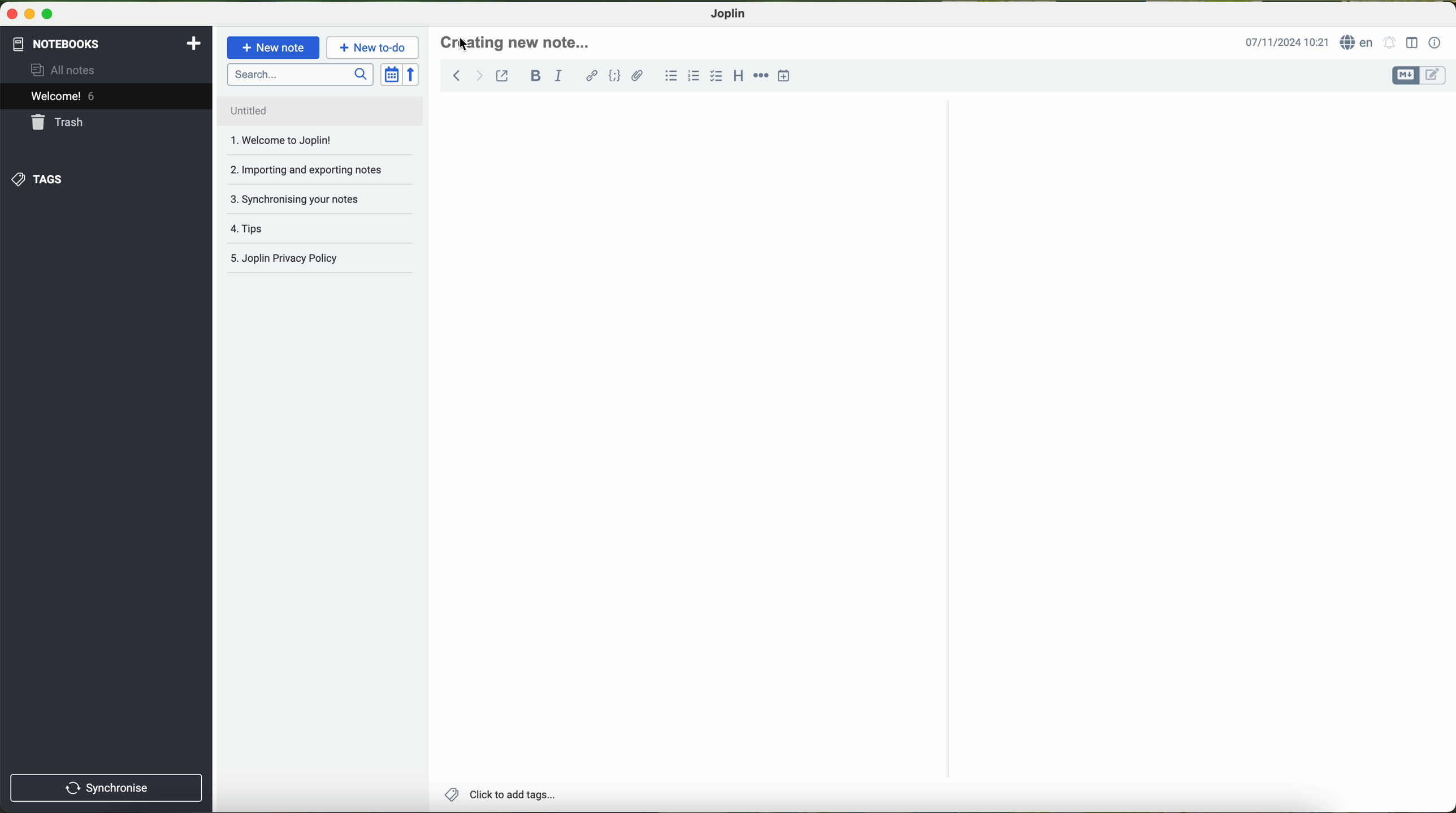  Describe the element at coordinates (1287, 41) in the screenshot. I see `date and hour` at that location.